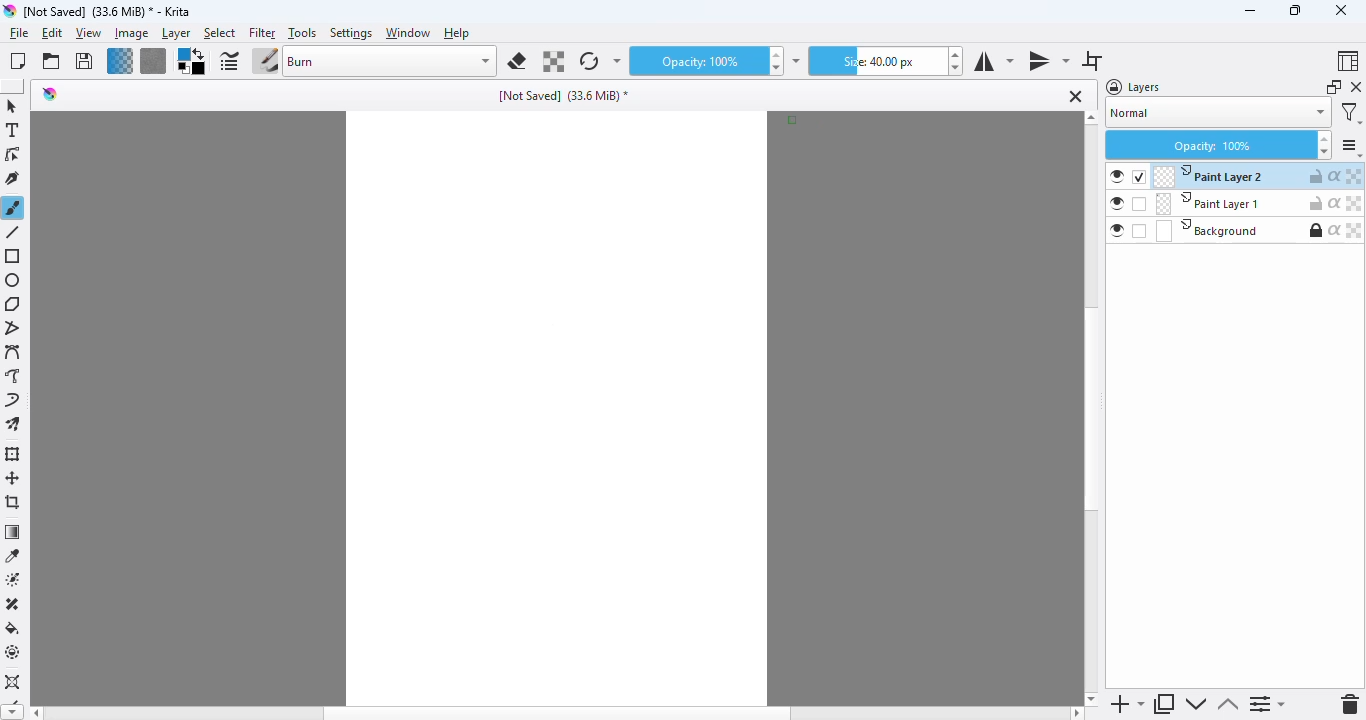 Image resolution: width=1366 pixels, height=720 pixels. Describe the element at coordinates (15, 329) in the screenshot. I see `polyline tool` at that location.